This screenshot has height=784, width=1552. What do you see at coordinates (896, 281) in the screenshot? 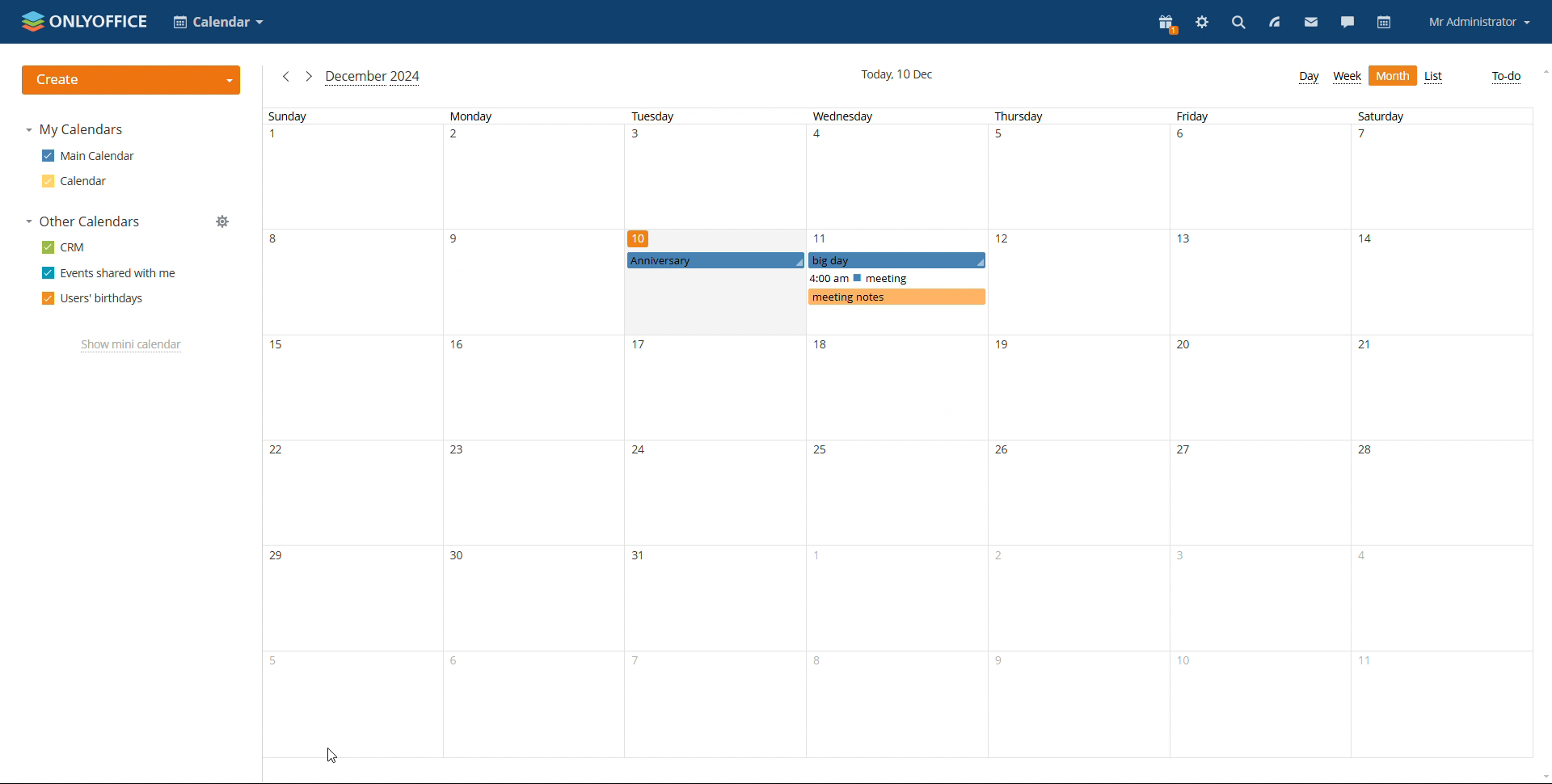
I see `events` at bounding box center [896, 281].